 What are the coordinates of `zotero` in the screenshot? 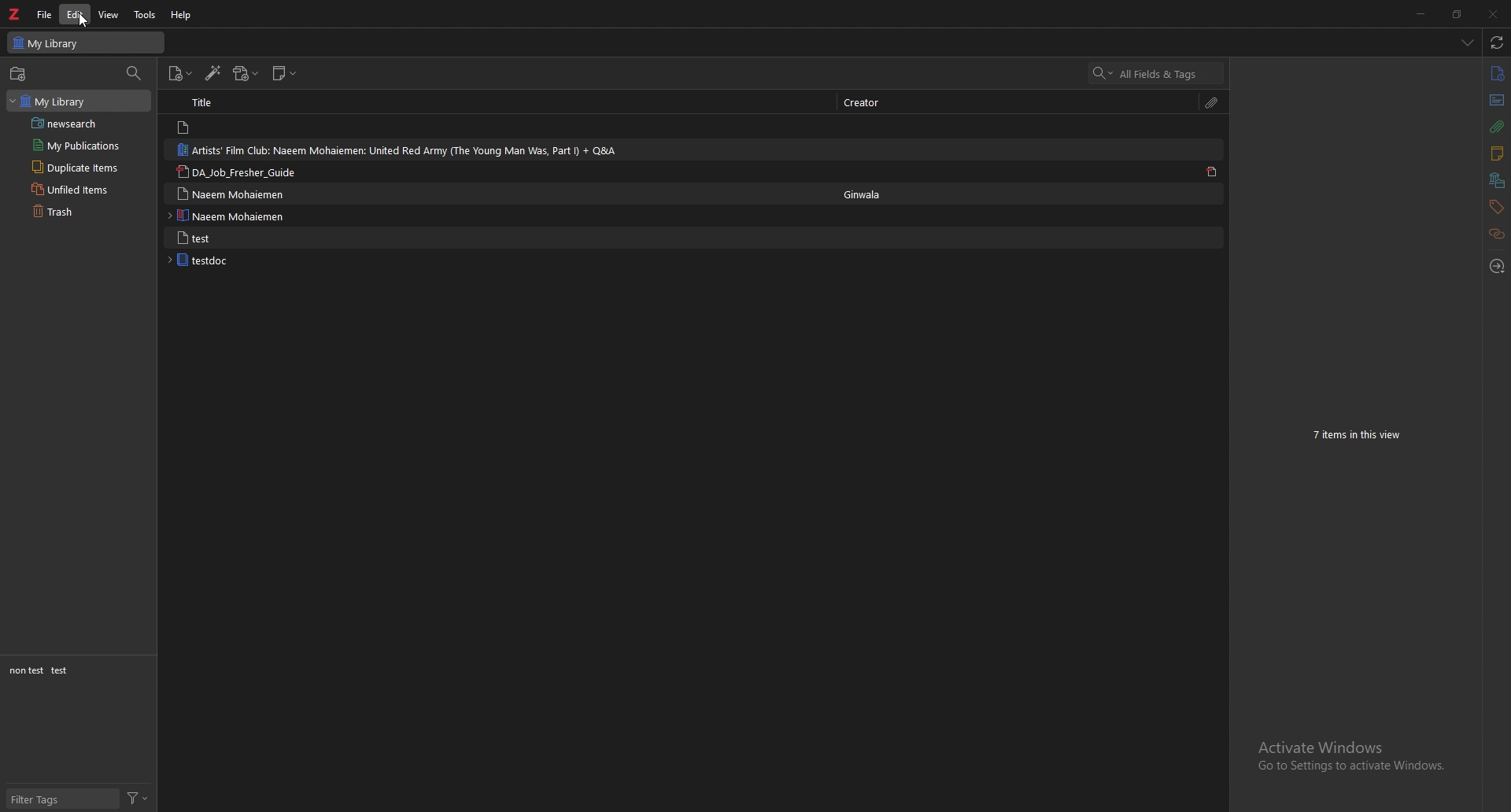 It's located at (15, 14).